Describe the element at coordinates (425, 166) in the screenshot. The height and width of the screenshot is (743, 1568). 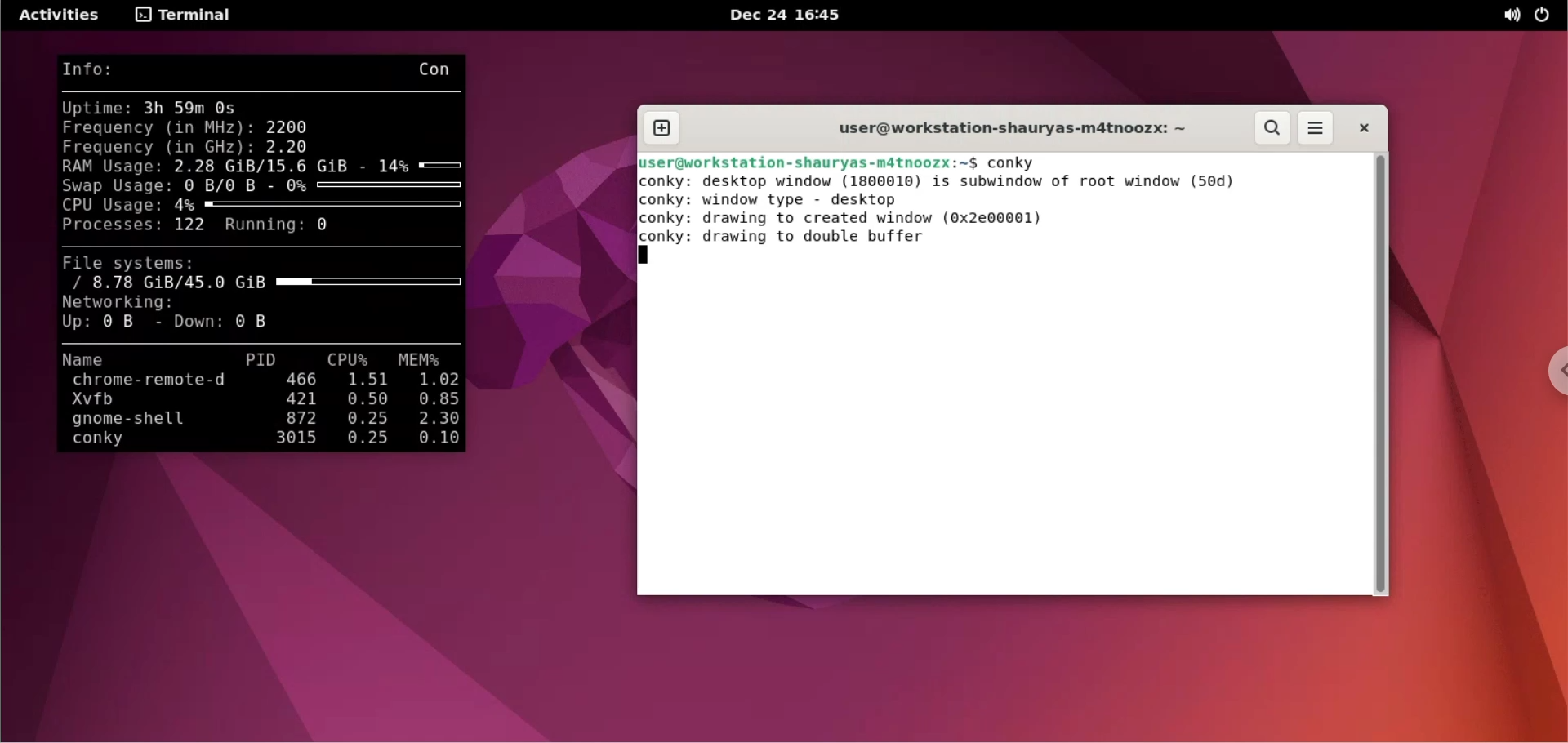
I see `14%` at that location.